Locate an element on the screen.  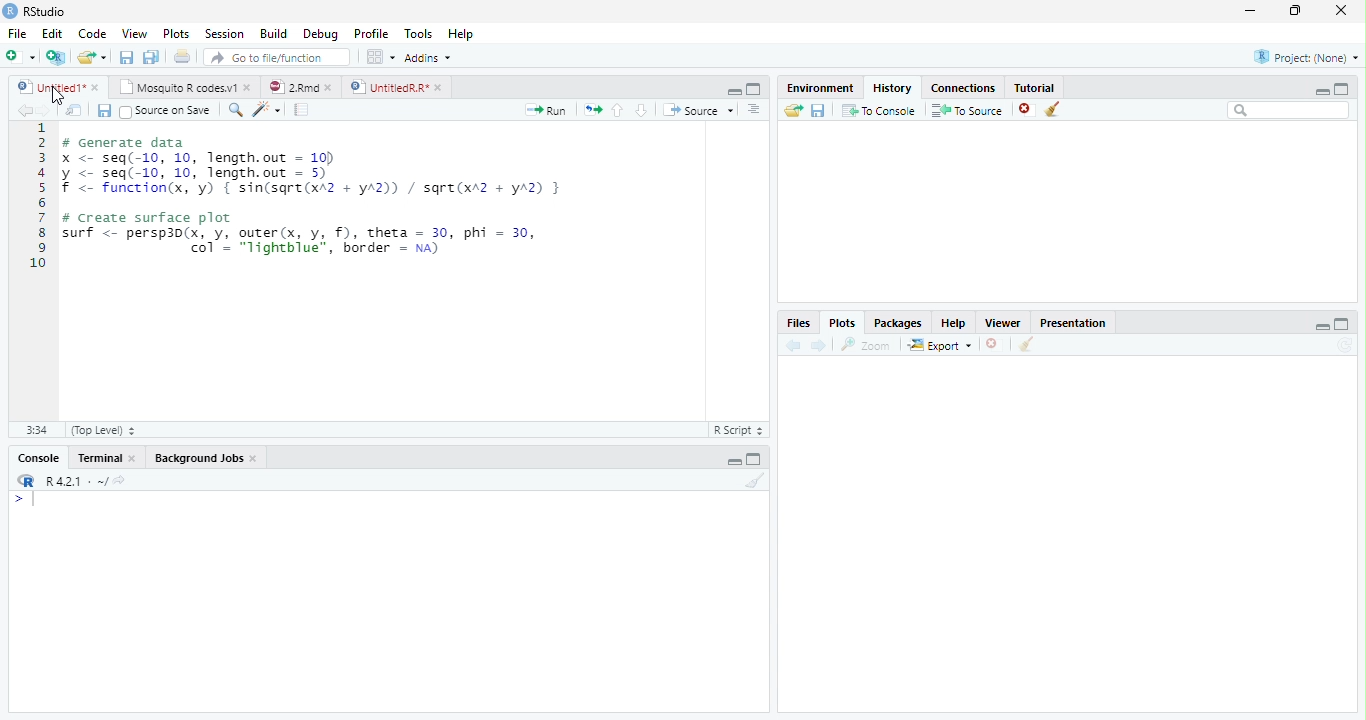
Load history from an existing file is located at coordinates (792, 111).